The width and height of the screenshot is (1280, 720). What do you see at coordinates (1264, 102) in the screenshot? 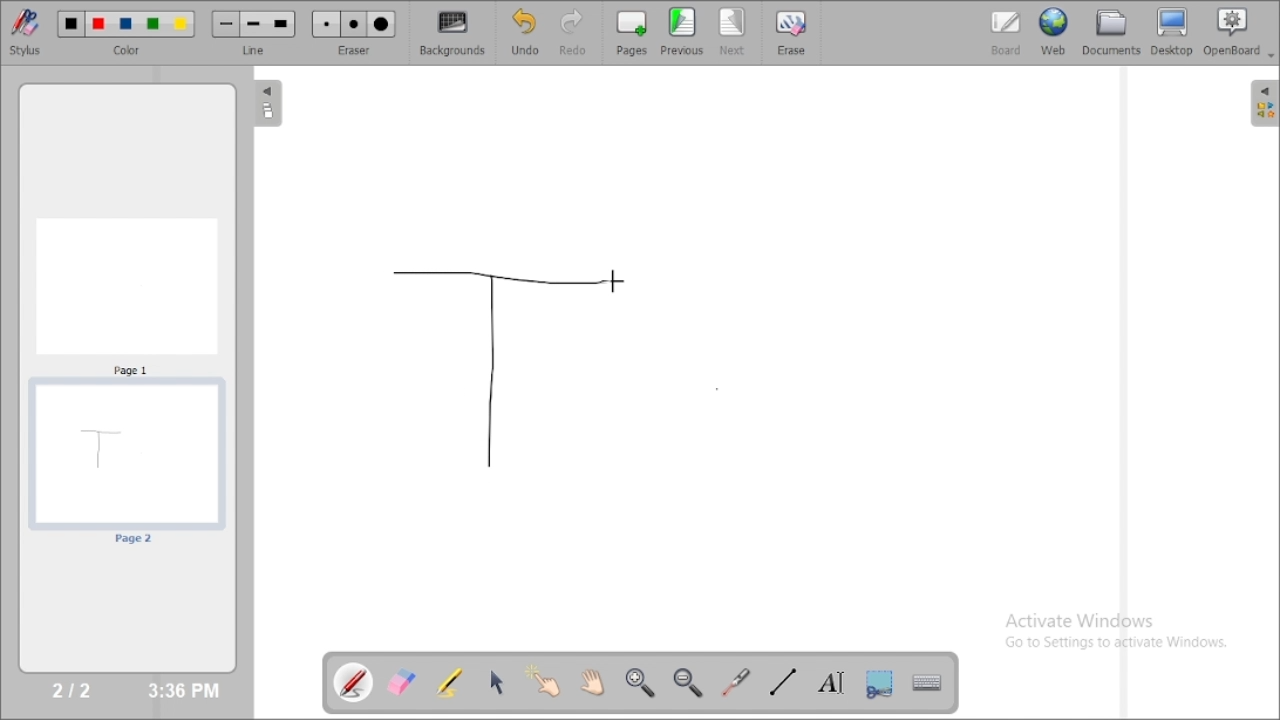
I see `The library` at bounding box center [1264, 102].